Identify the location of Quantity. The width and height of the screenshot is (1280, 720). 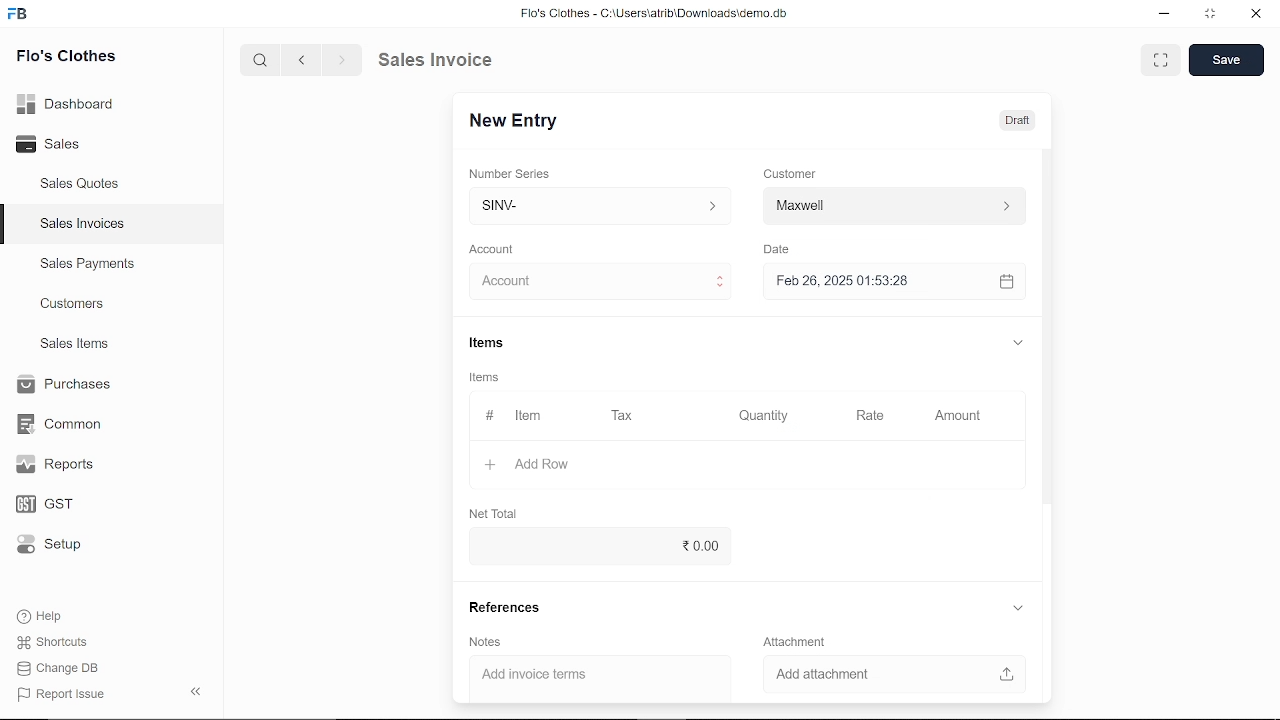
(759, 417).